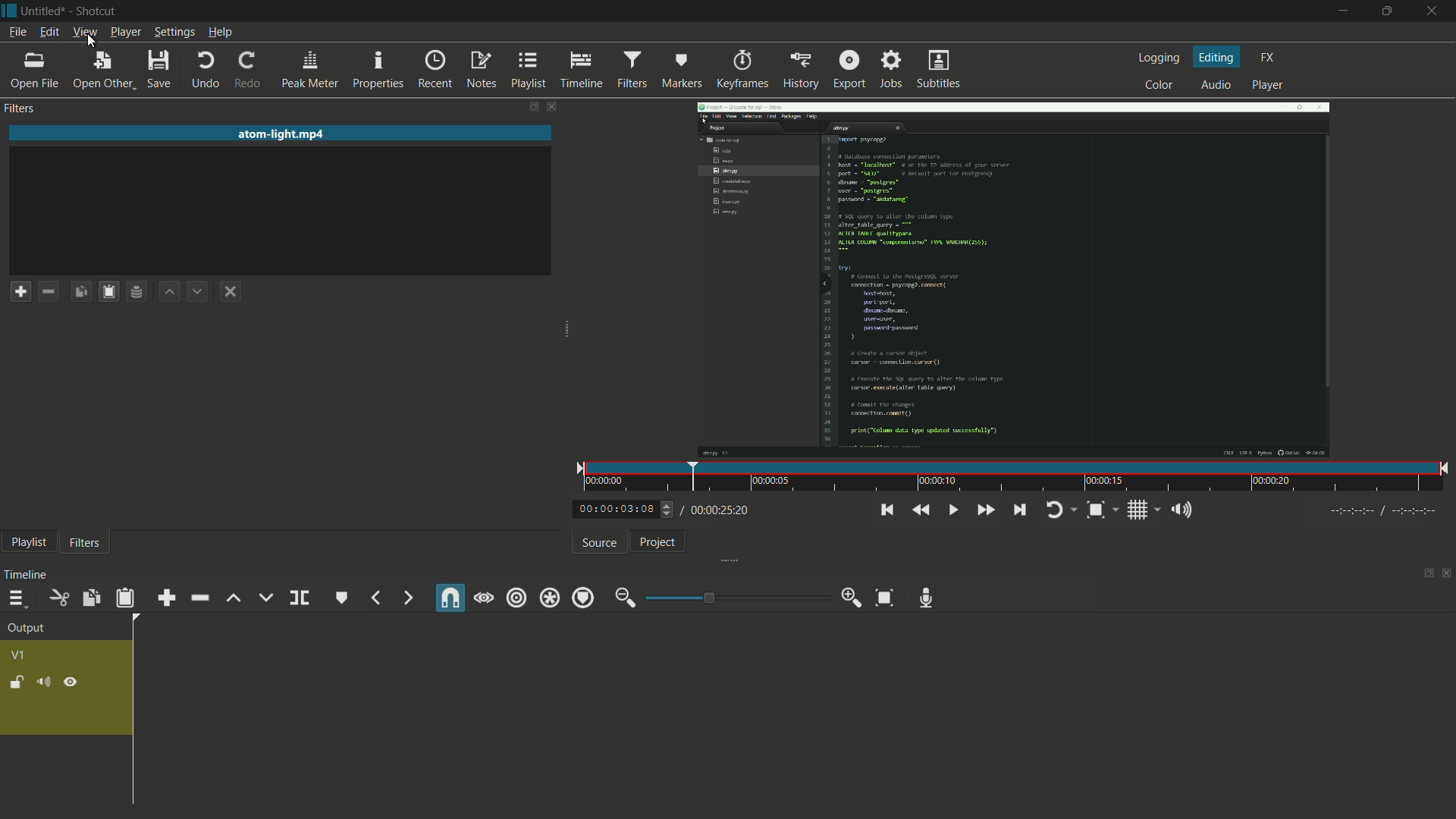  I want to click on paste, so click(108, 290).